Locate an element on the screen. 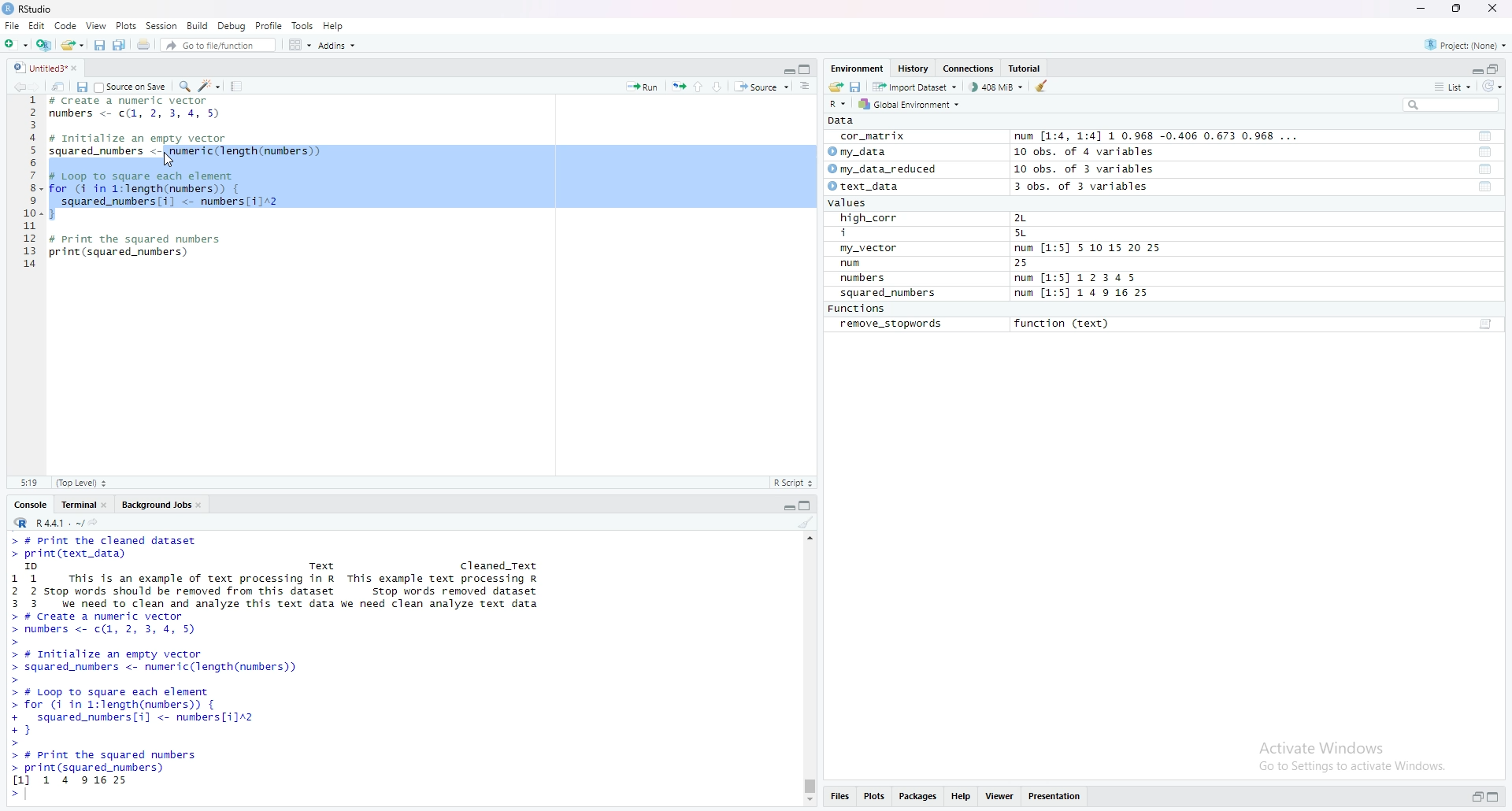 This screenshot has height=811, width=1512. verical scrollbar is located at coordinates (808, 786).